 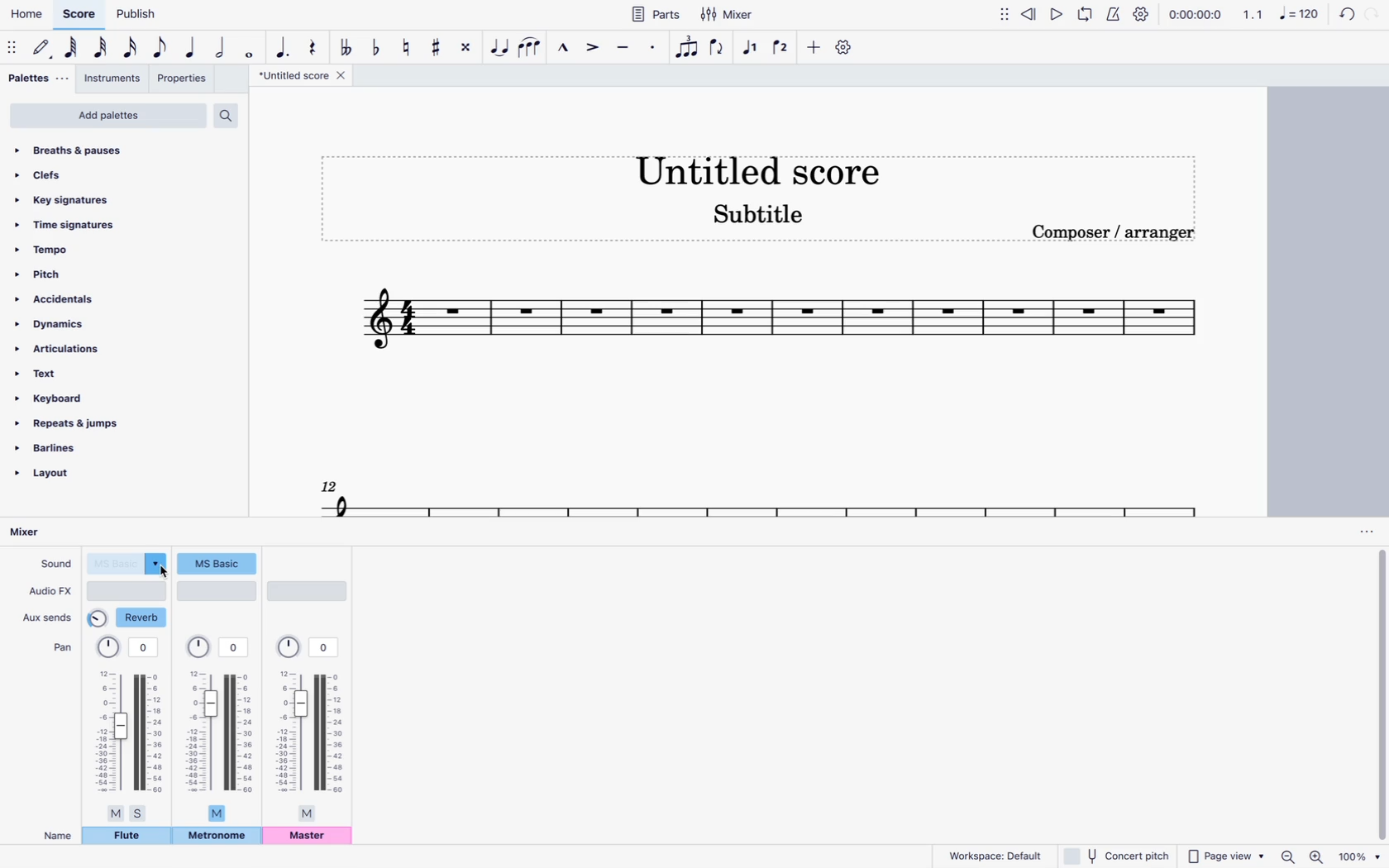 What do you see at coordinates (217, 562) in the screenshot?
I see `sound type` at bounding box center [217, 562].